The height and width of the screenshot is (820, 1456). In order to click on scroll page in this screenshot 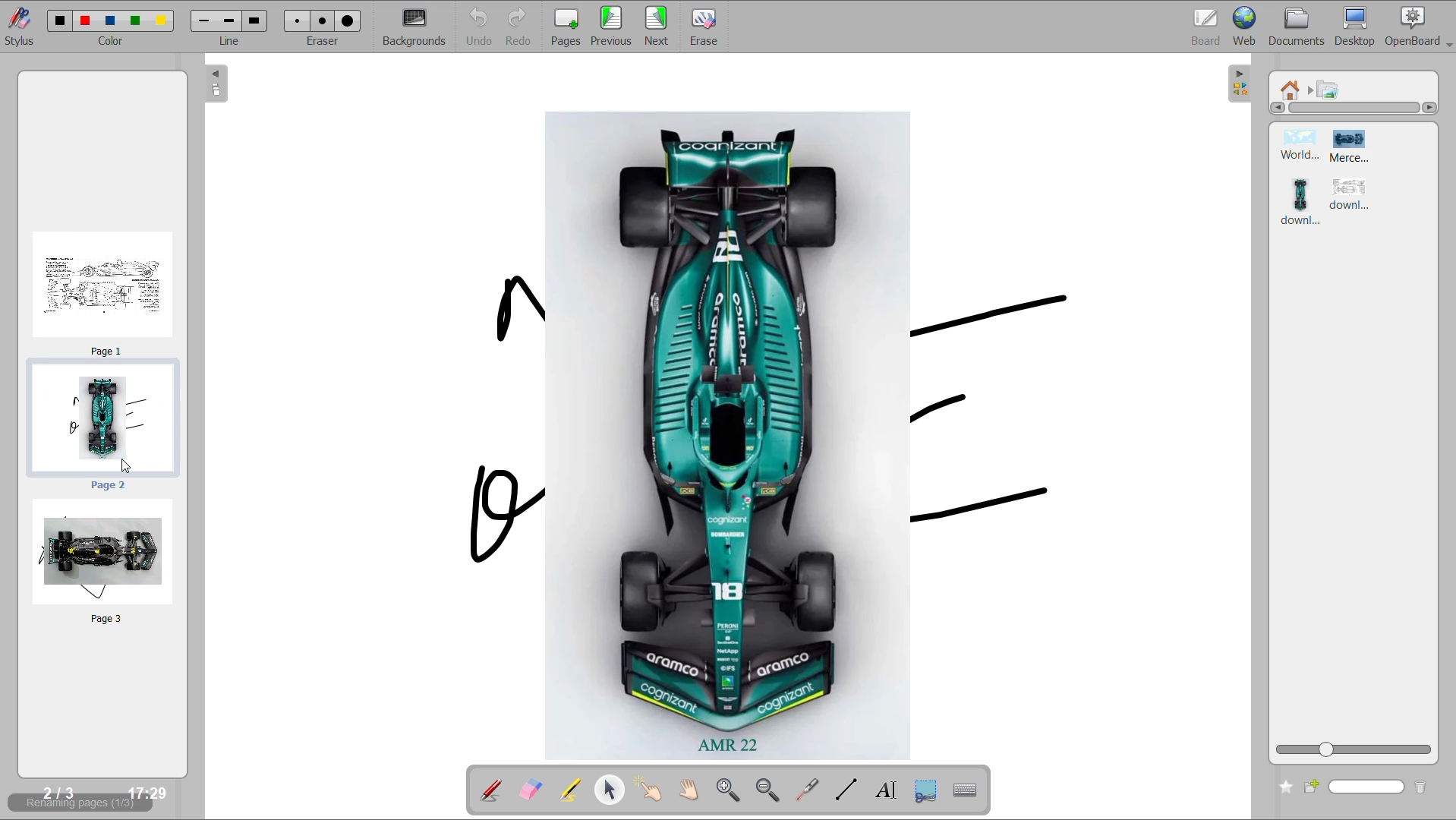, I will do `click(692, 791)`.